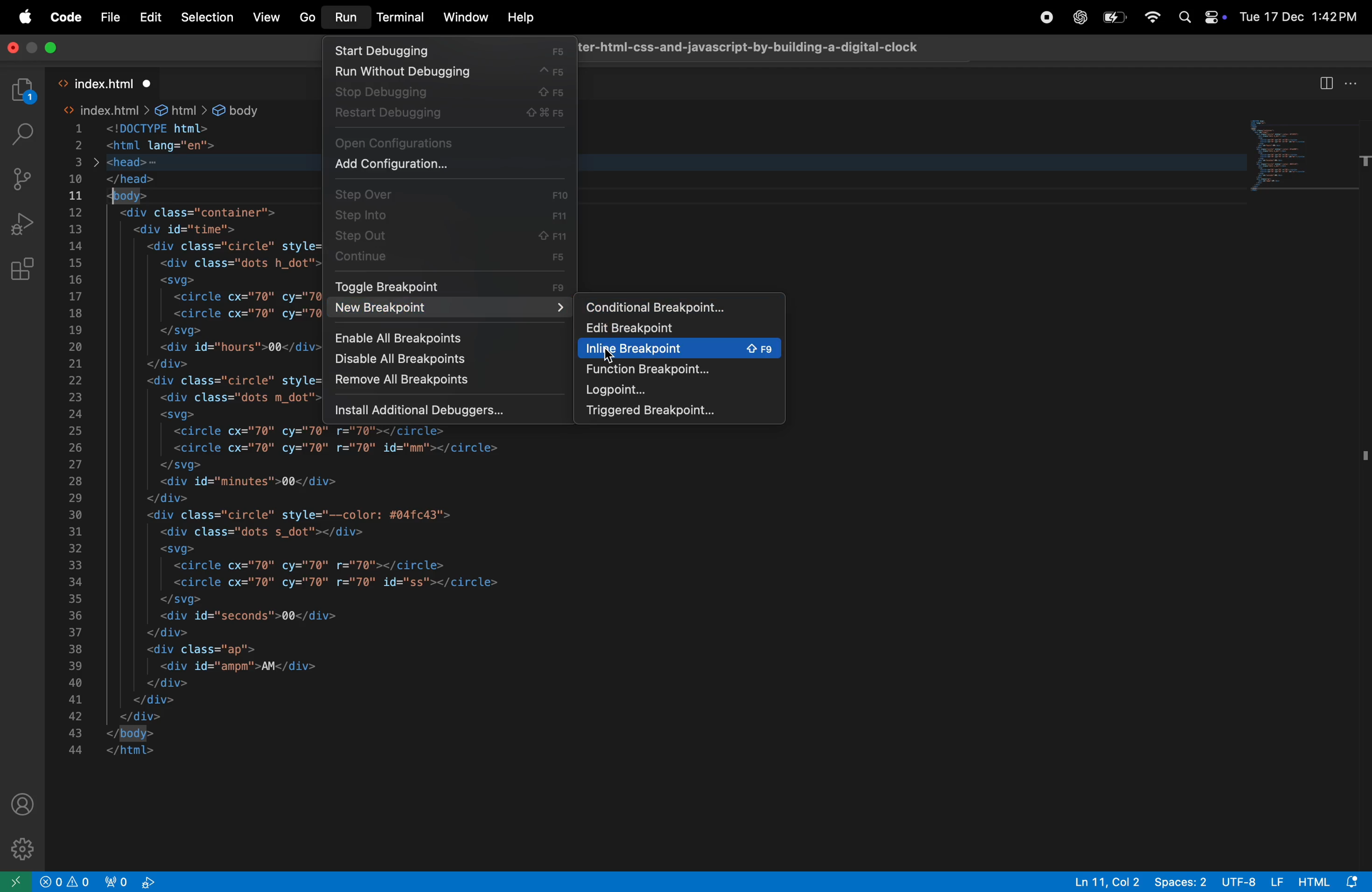 The width and height of the screenshot is (1372, 892). I want to click on run without debugging, so click(446, 73).